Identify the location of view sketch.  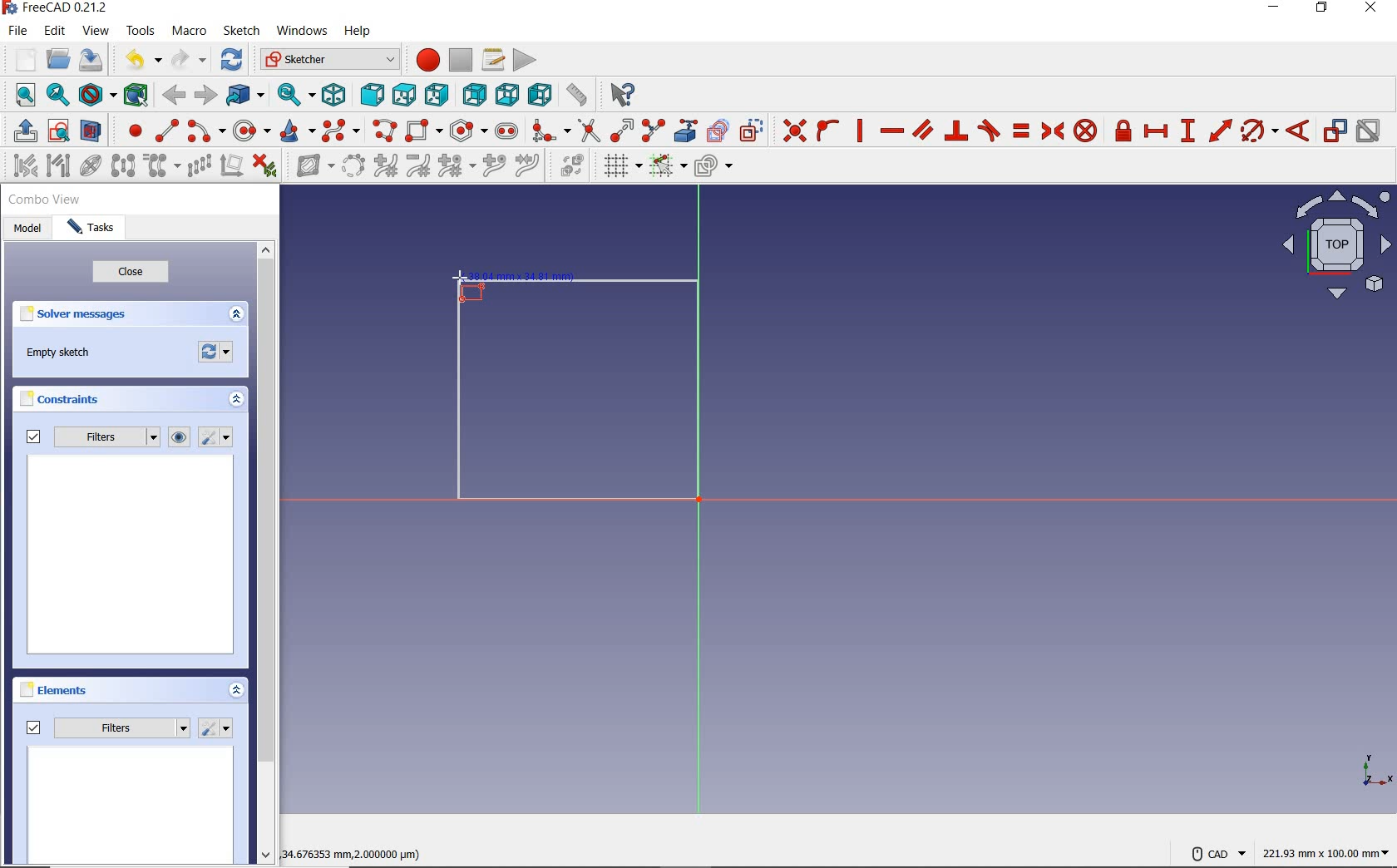
(59, 131).